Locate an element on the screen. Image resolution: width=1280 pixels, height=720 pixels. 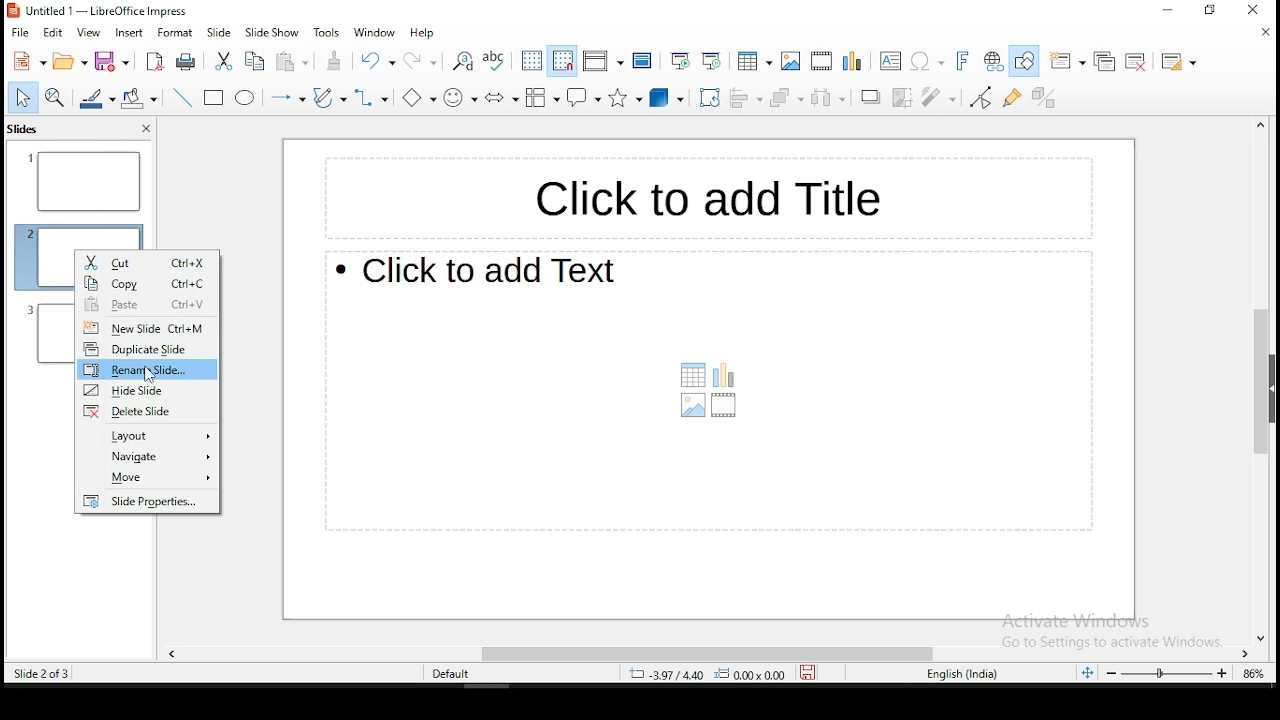
duplicate slide is located at coordinates (1104, 60).